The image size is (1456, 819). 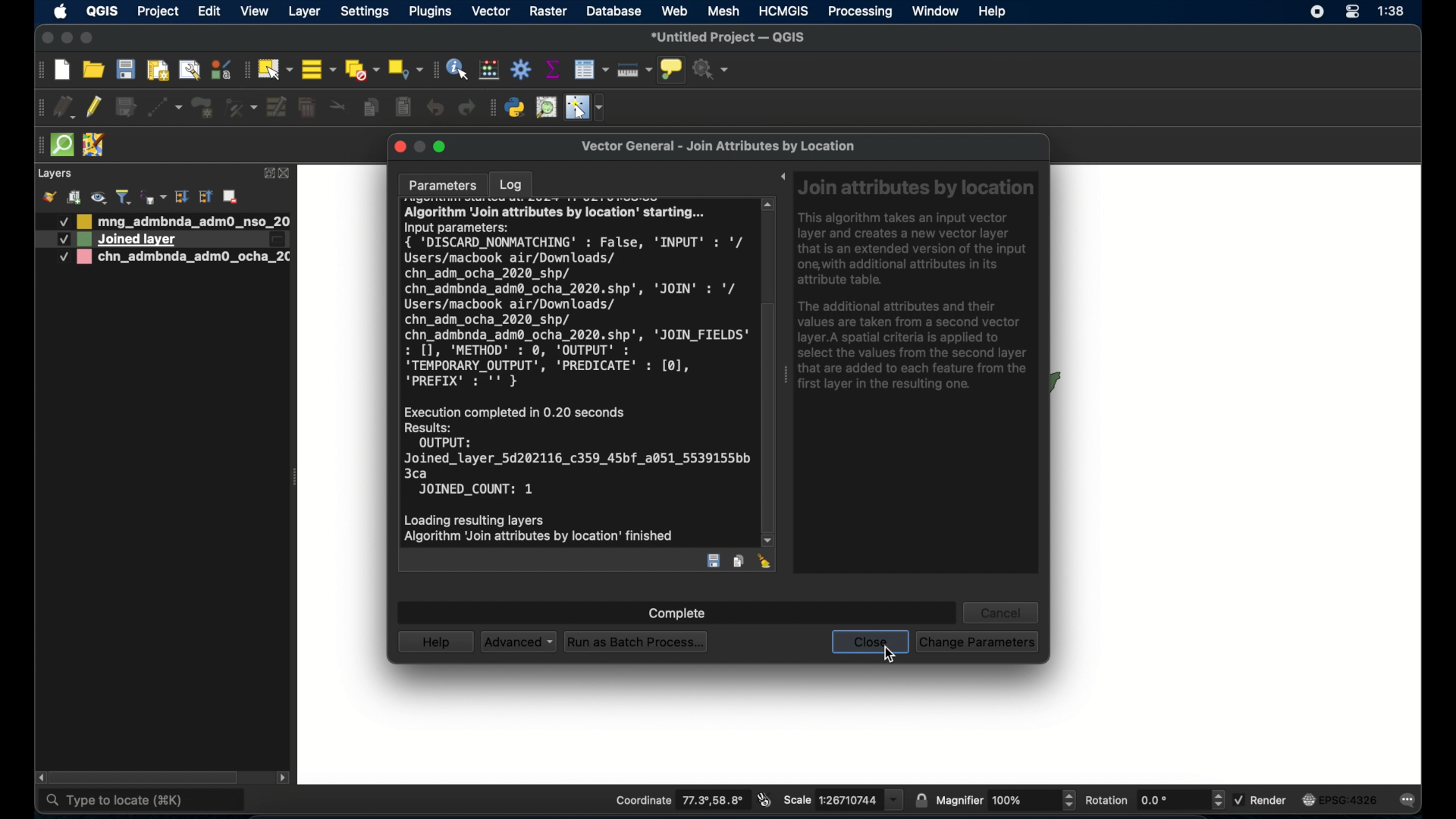 I want to click on Layer 2, so click(x=186, y=240).